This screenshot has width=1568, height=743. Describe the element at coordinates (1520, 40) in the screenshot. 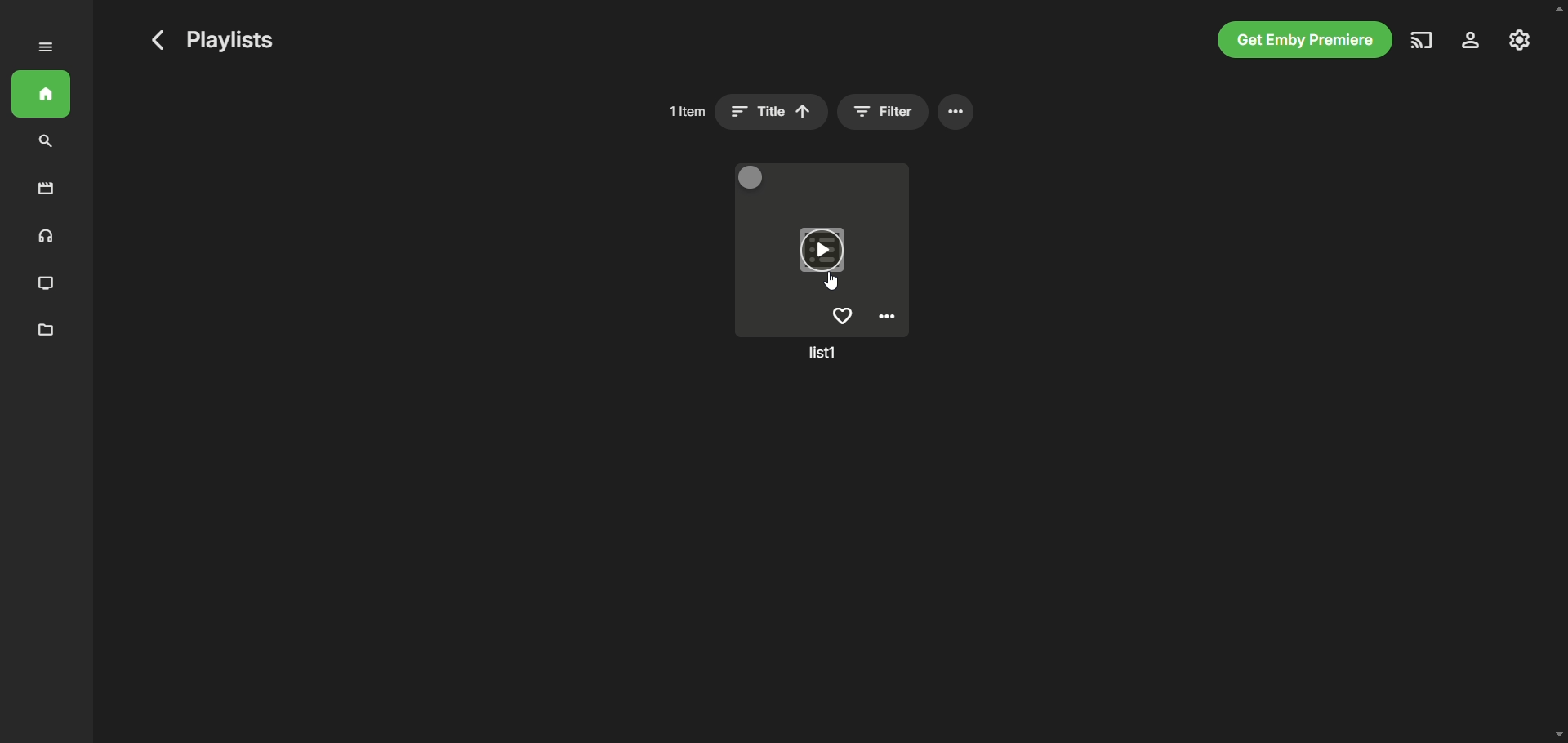

I see `manage emby server` at that location.